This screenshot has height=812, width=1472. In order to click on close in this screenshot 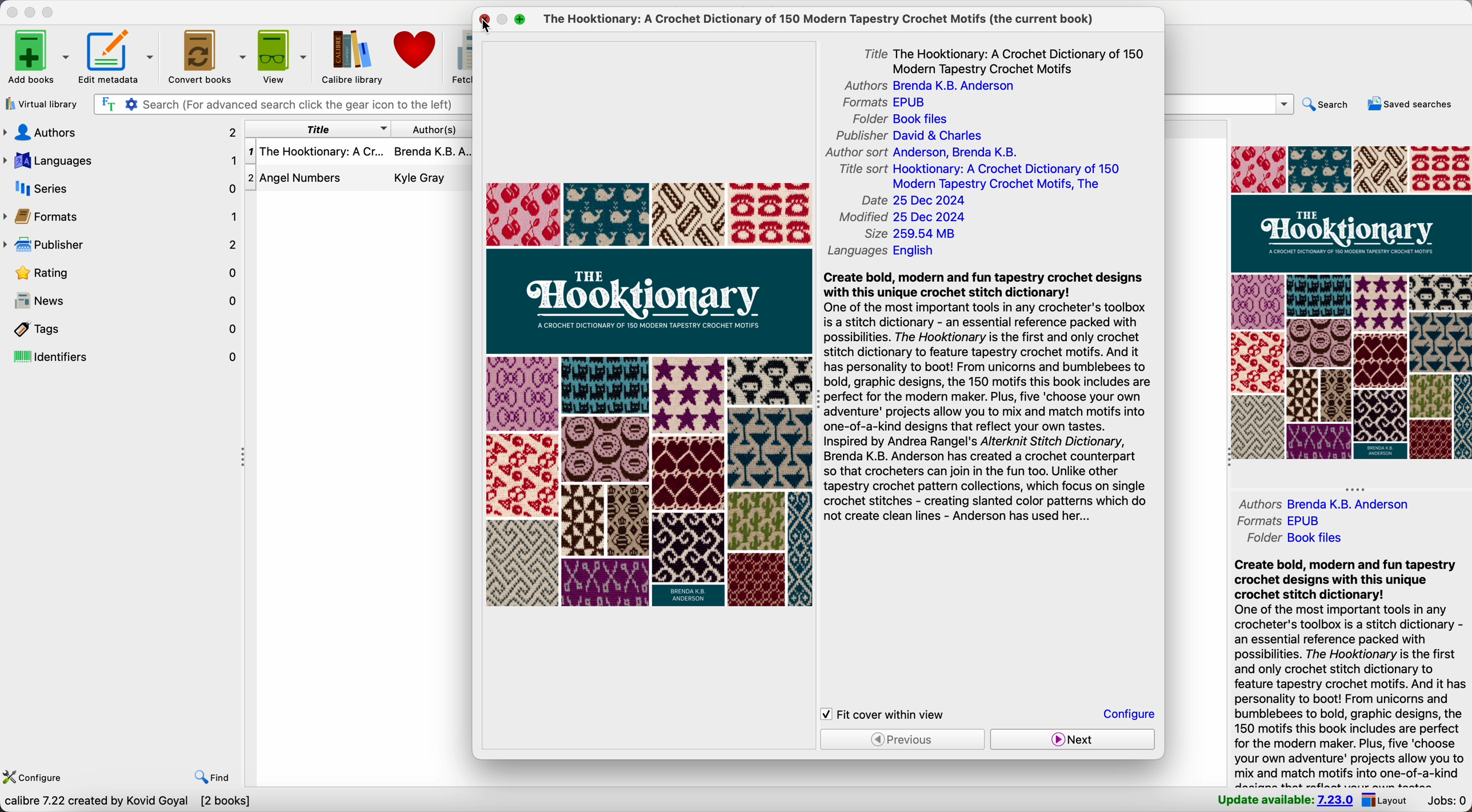, I will do `click(12, 12)`.